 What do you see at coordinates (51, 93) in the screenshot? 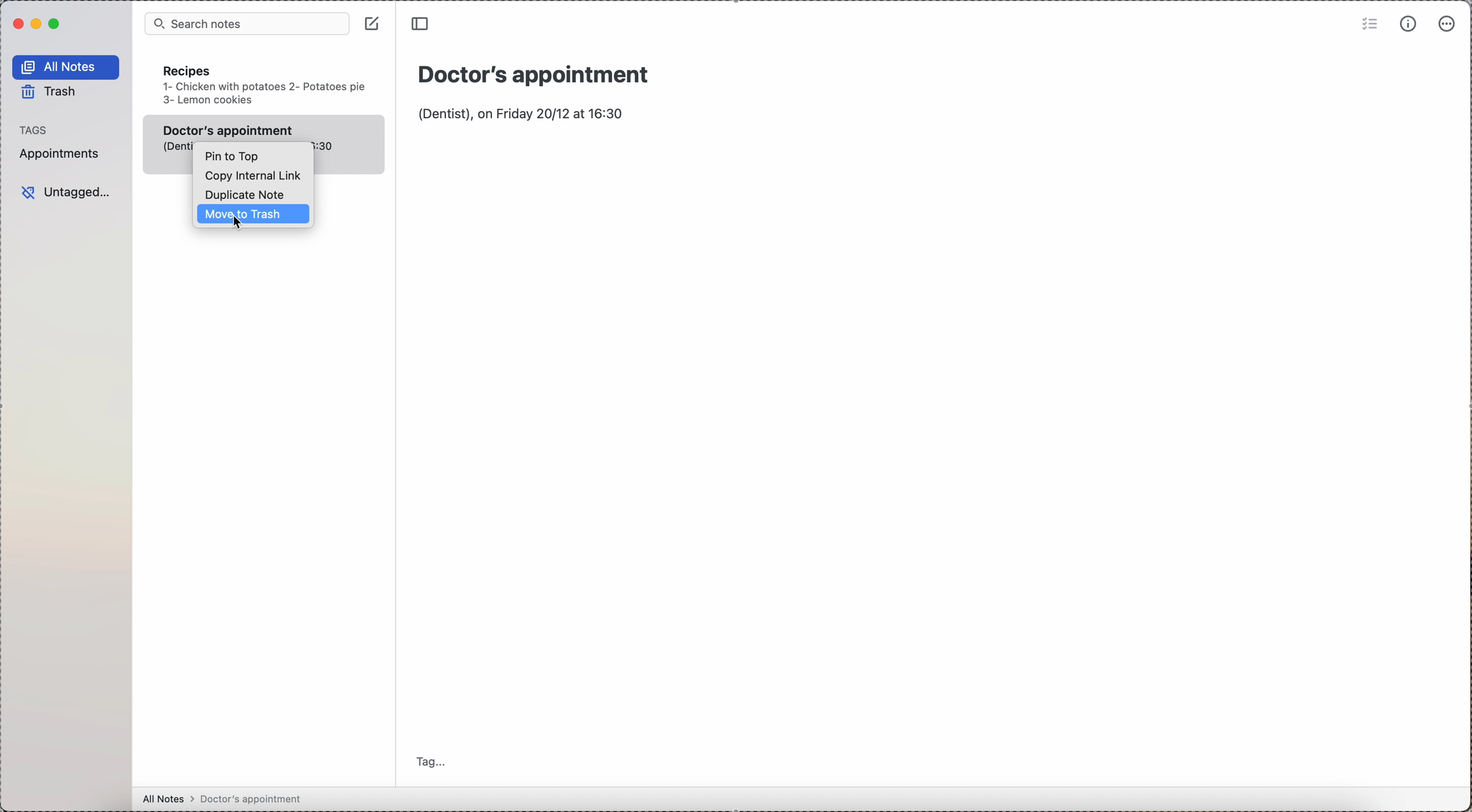
I see `trash` at bounding box center [51, 93].